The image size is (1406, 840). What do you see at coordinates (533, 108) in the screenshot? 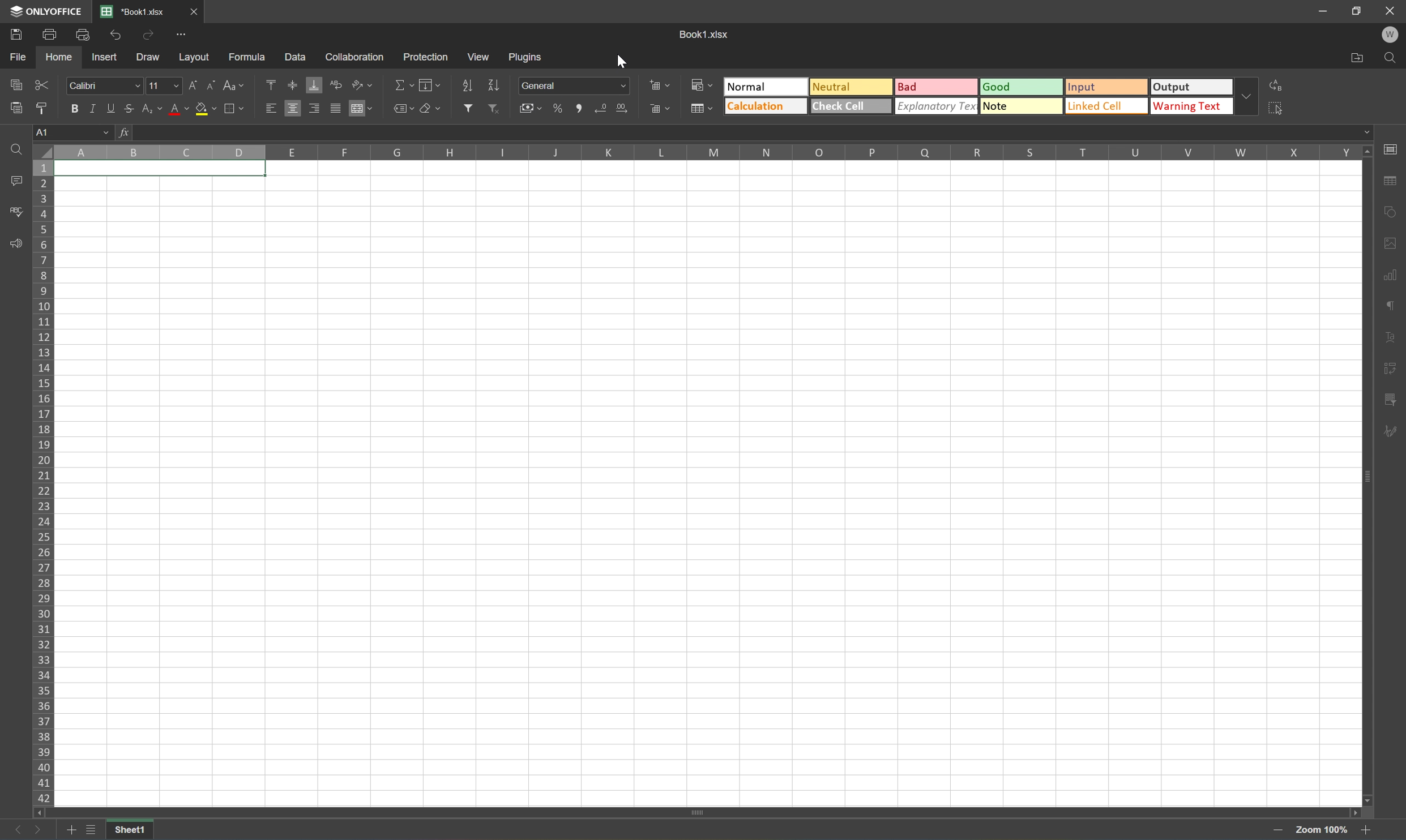
I see `Accounting style` at bounding box center [533, 108].